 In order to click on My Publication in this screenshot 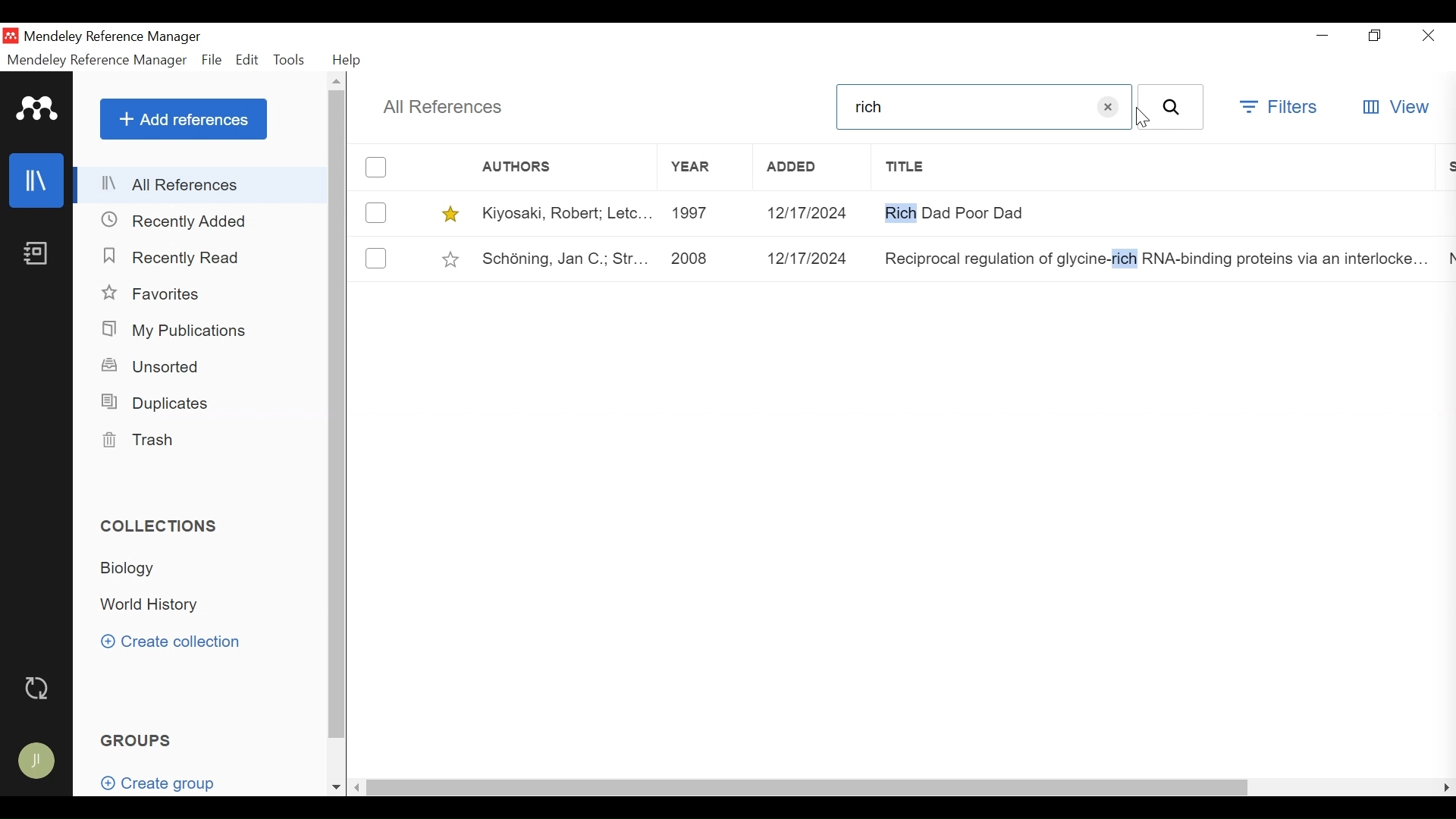, I will do `click(178, 330)`.